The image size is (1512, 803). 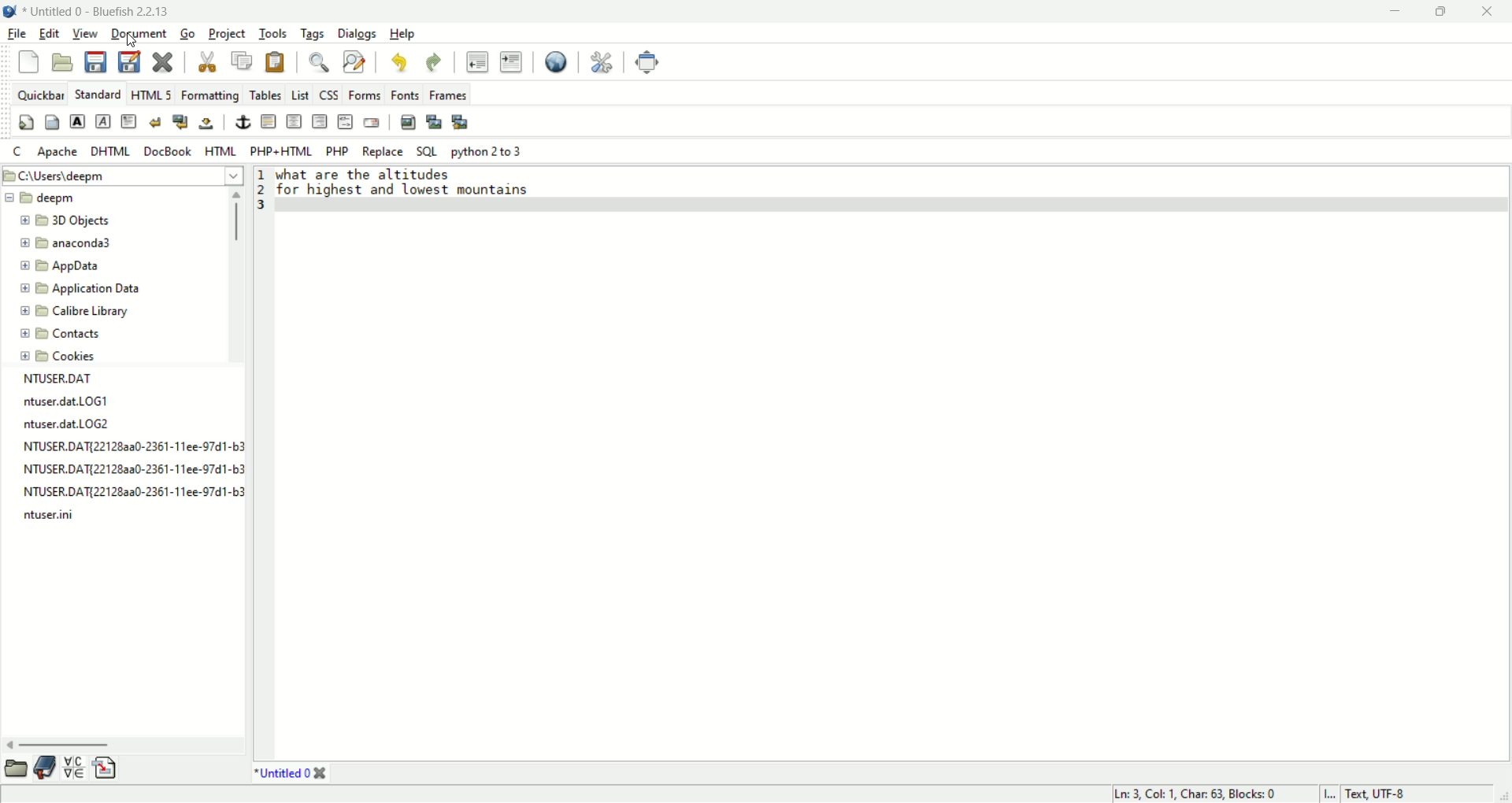 What do you see at coordinates (183, 122) in the screenshot?
I see `break and clear` at bounding box center [183, 122].